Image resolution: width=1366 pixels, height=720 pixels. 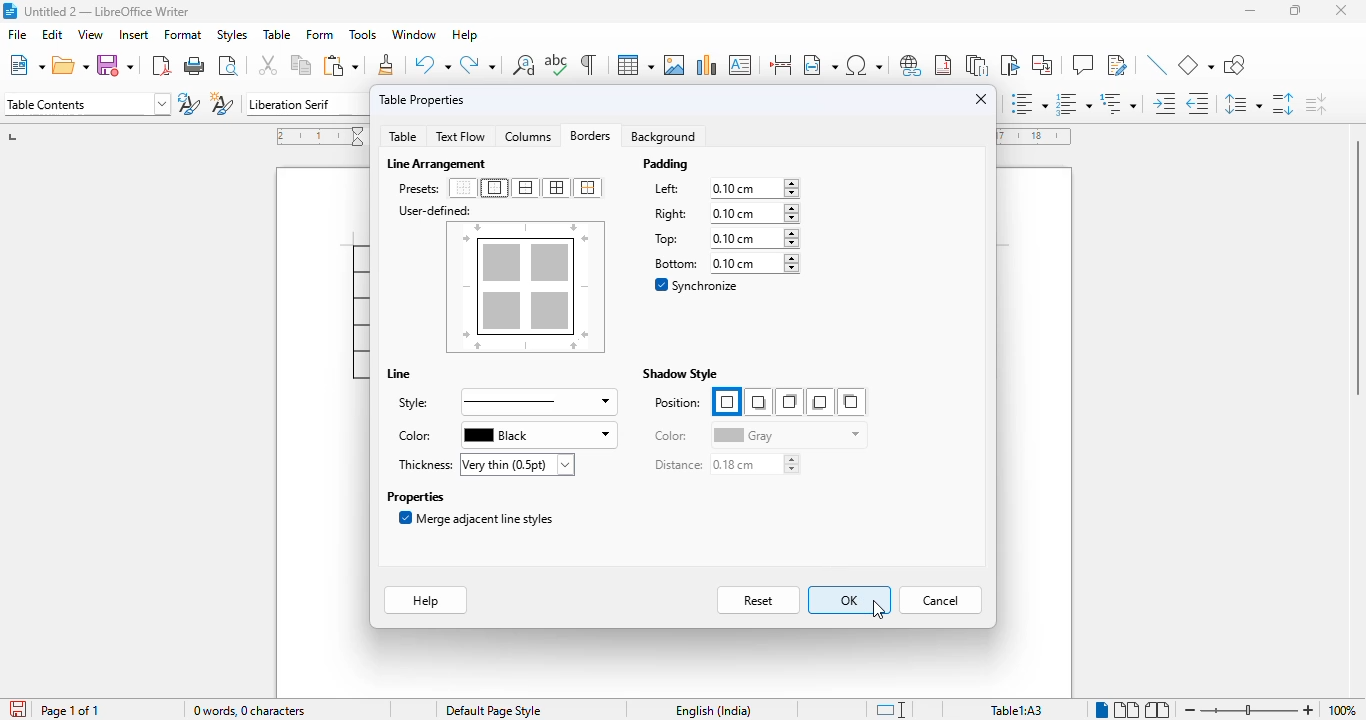 What do you see at coordinates (526, 289) in the screenshot?
I see `preview changed in preview box` at bounding box center [526, 289].